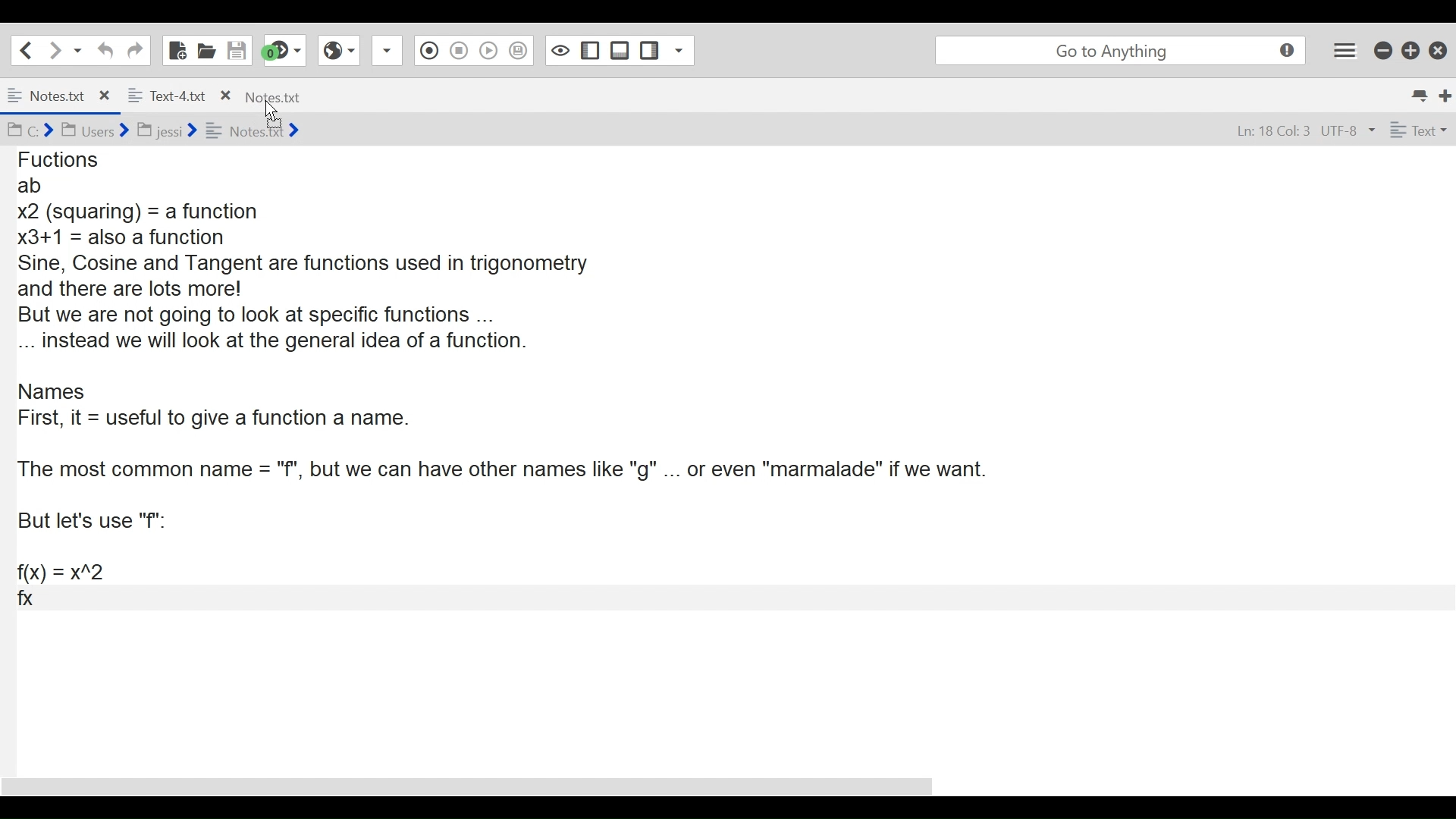  Describe the element at coordinates (29, 130) in the screenshot. I see `c:` at that location.